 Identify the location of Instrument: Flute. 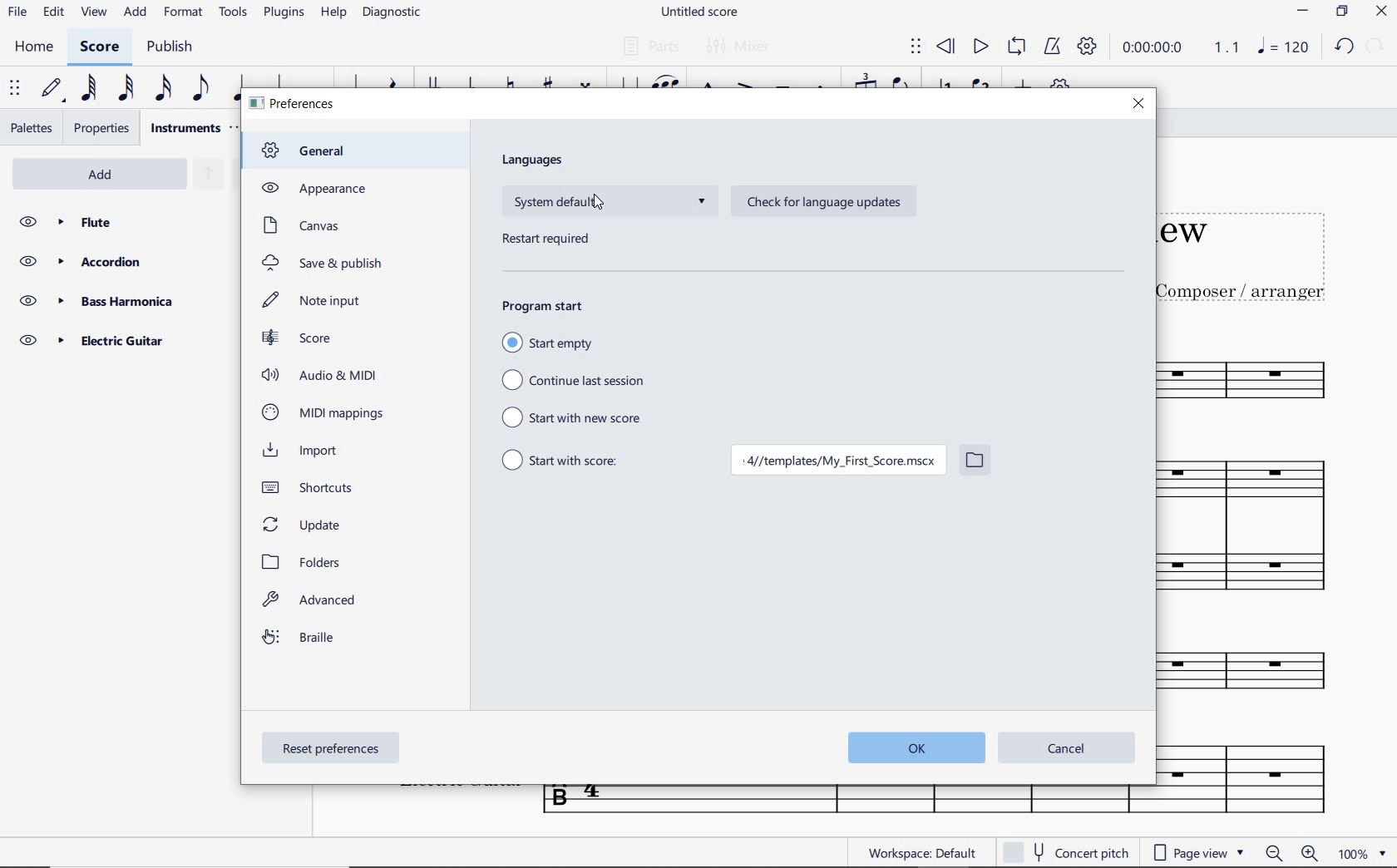
(1266, 377).